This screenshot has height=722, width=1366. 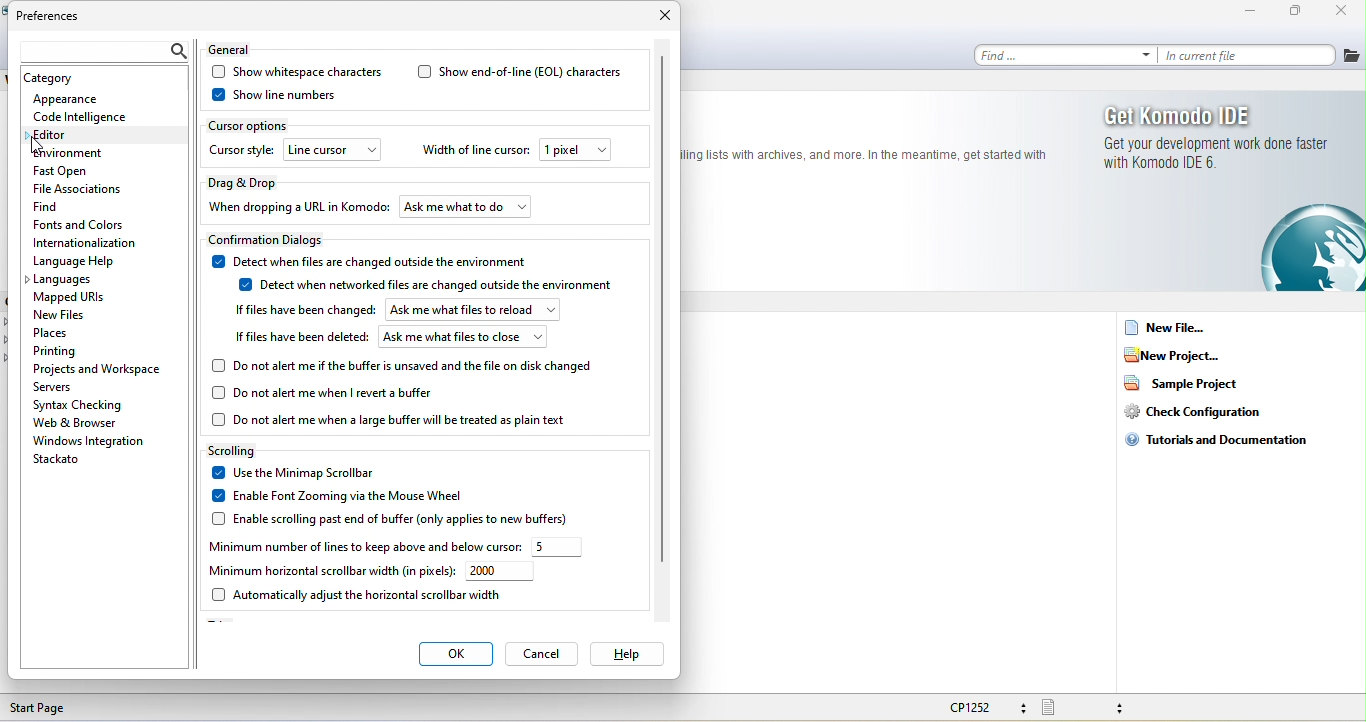 What do you see at coordinates (1089, 708) in the screenshot?
I see `file type` at bounding box center [1089, 708].